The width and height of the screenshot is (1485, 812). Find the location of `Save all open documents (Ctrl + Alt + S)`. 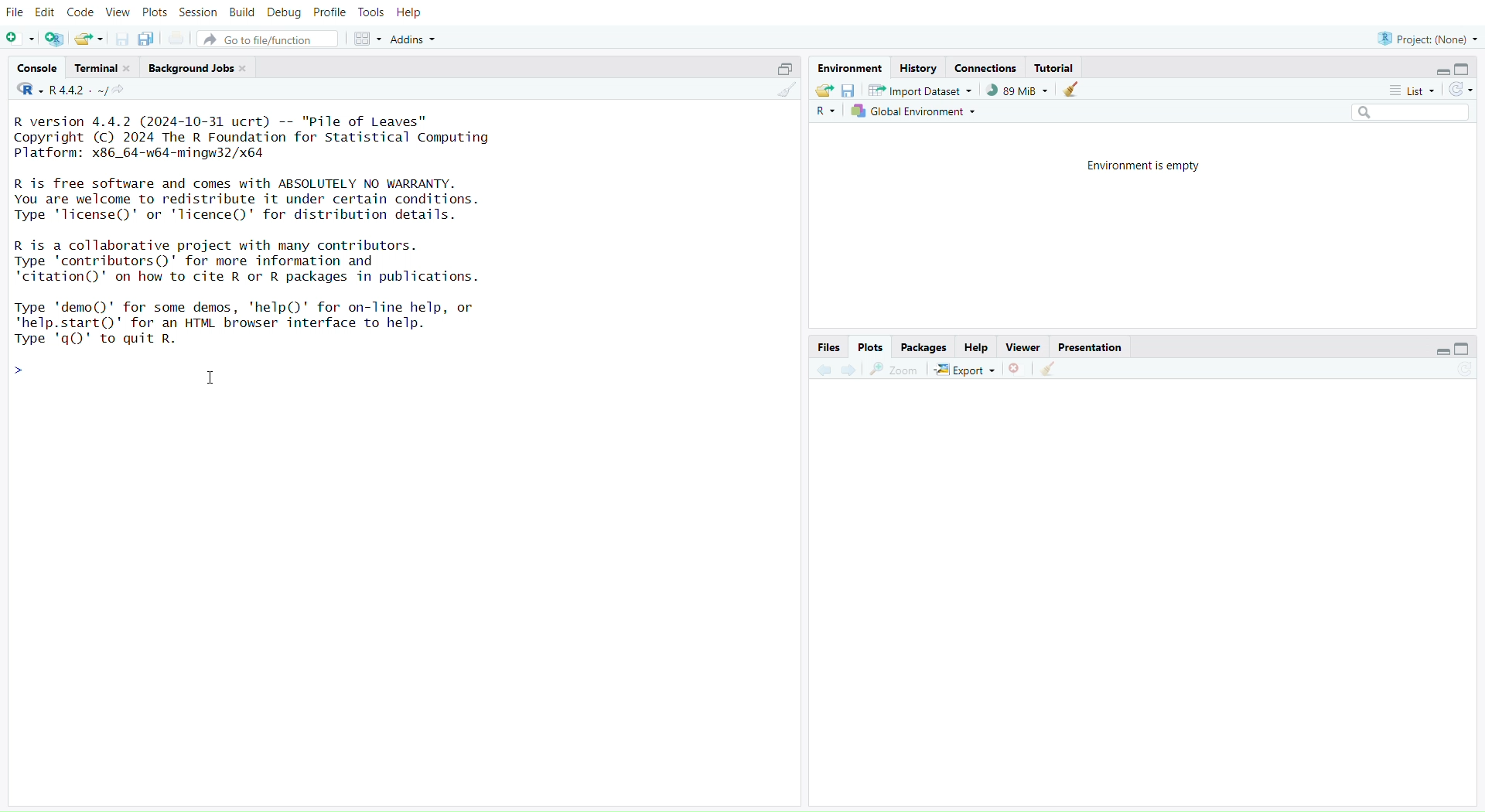

Save all open documents (Ctrl + Alt + S) is located at coordinates (151, 38).